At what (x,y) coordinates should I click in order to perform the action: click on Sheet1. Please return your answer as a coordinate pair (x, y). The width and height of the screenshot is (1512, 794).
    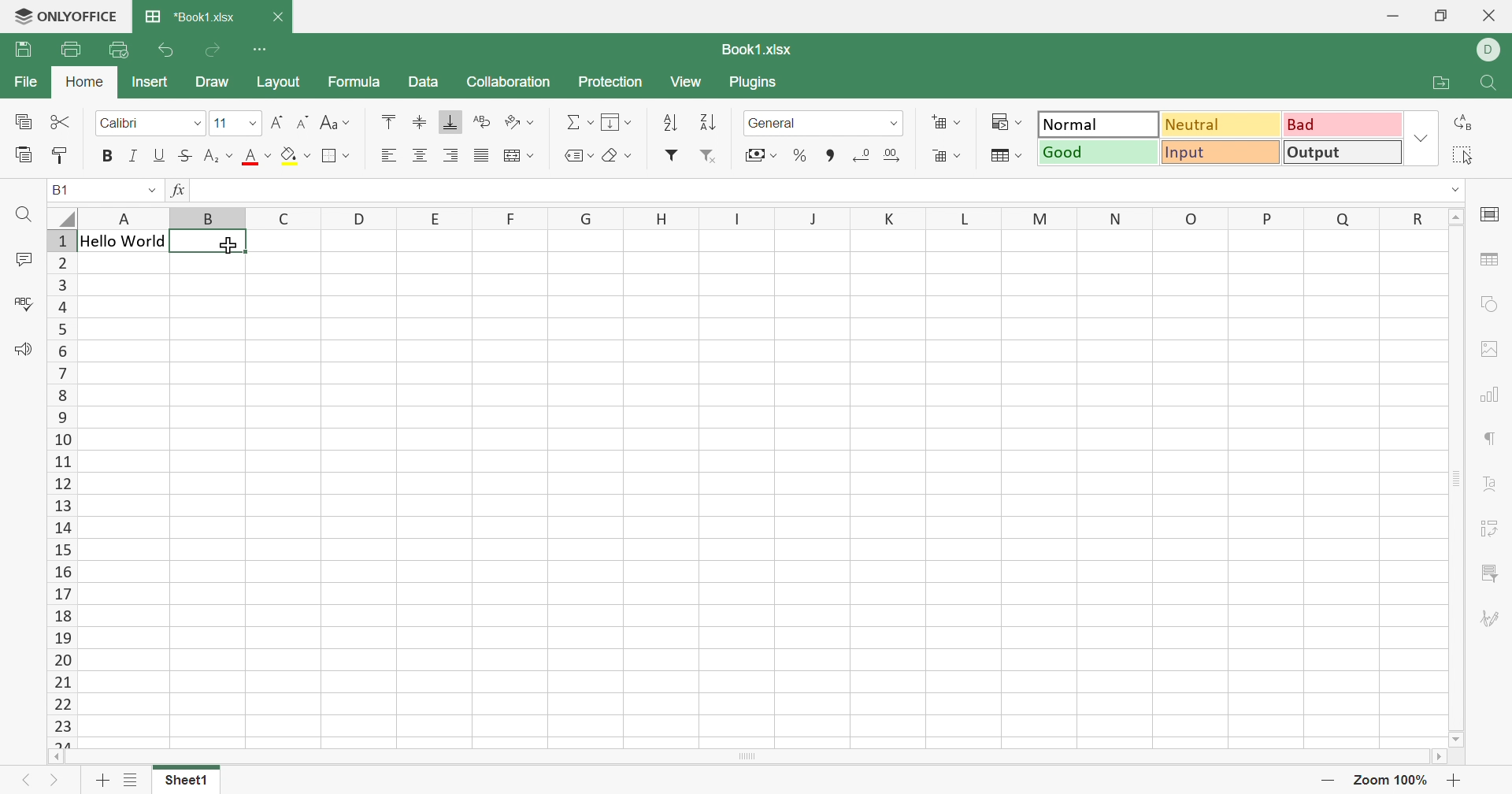
    Looking at the image, I should click on (184, 784).